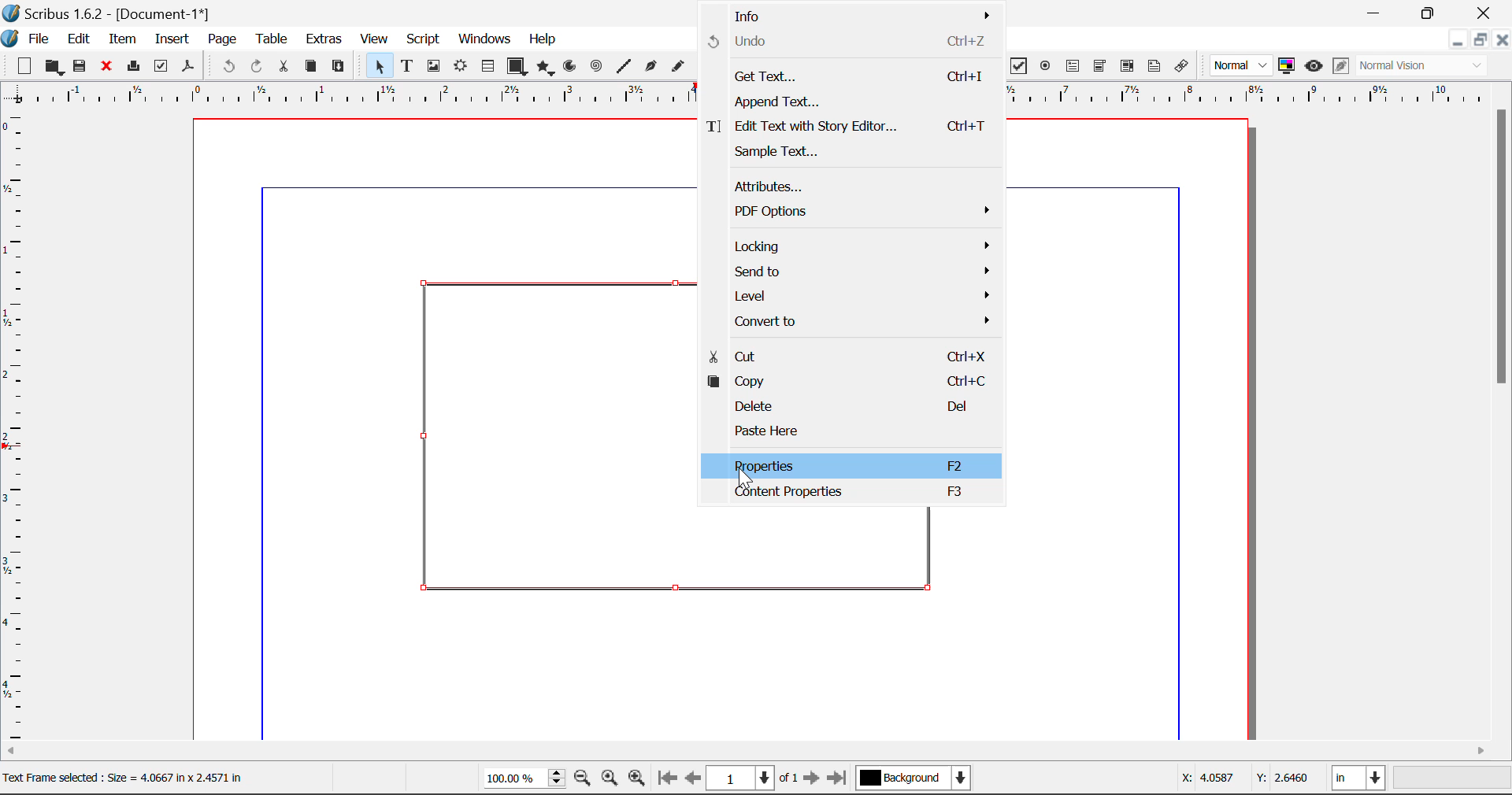  Describe the element at coordinates (596, 66) in the screenshot. I see `Spiral` at that location.